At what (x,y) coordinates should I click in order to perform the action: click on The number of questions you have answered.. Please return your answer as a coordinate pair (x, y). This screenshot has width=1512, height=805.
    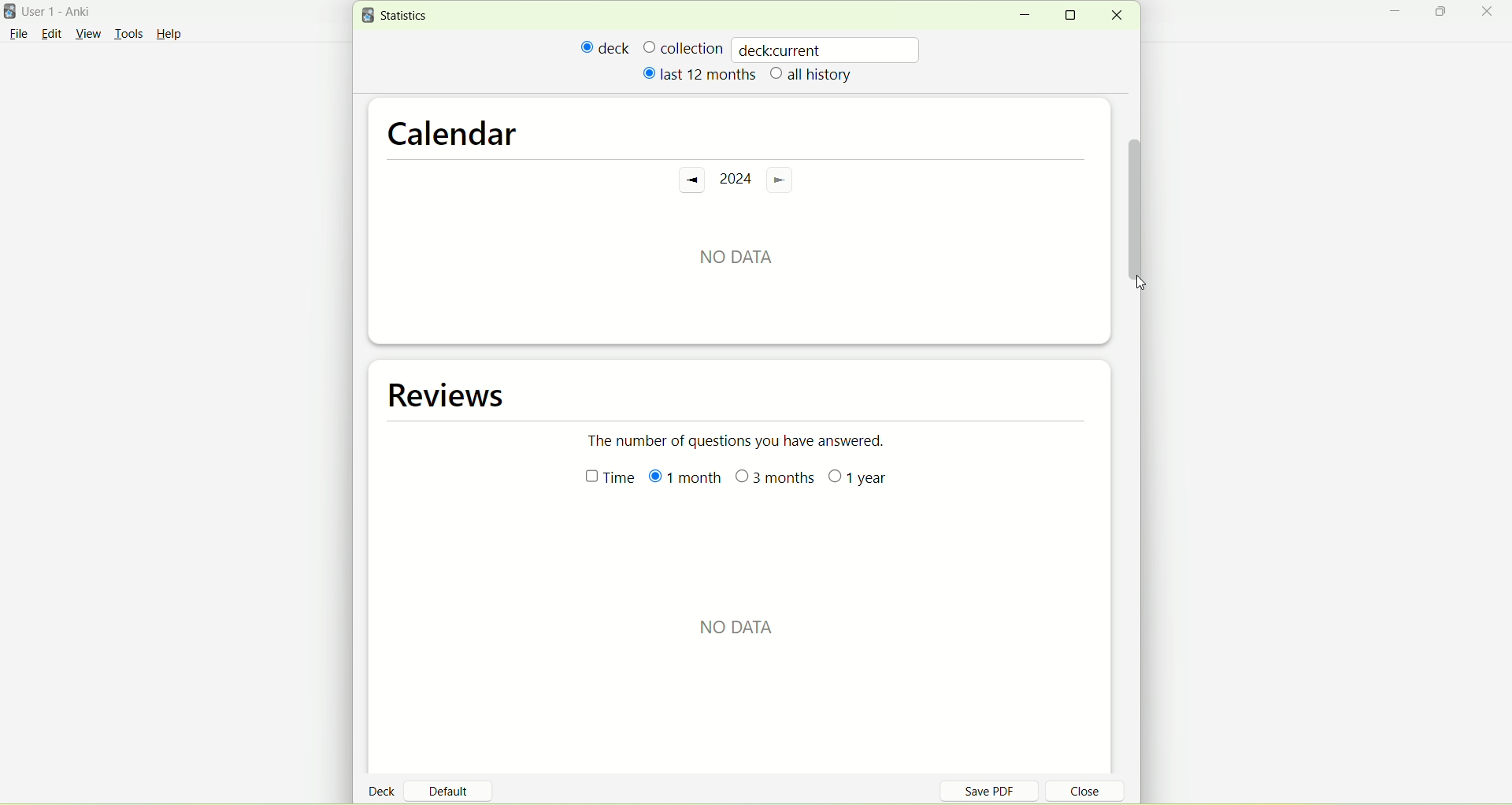
    Looking at the image, I should click on (745, 440).